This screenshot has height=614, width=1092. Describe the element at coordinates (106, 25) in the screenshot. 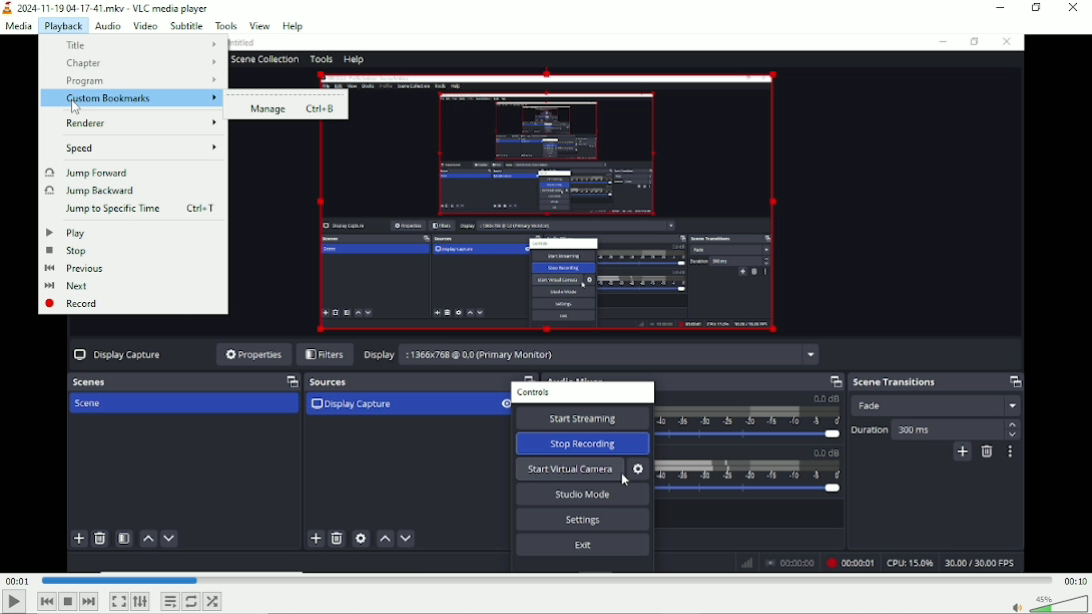

I see `Audio` at that location.